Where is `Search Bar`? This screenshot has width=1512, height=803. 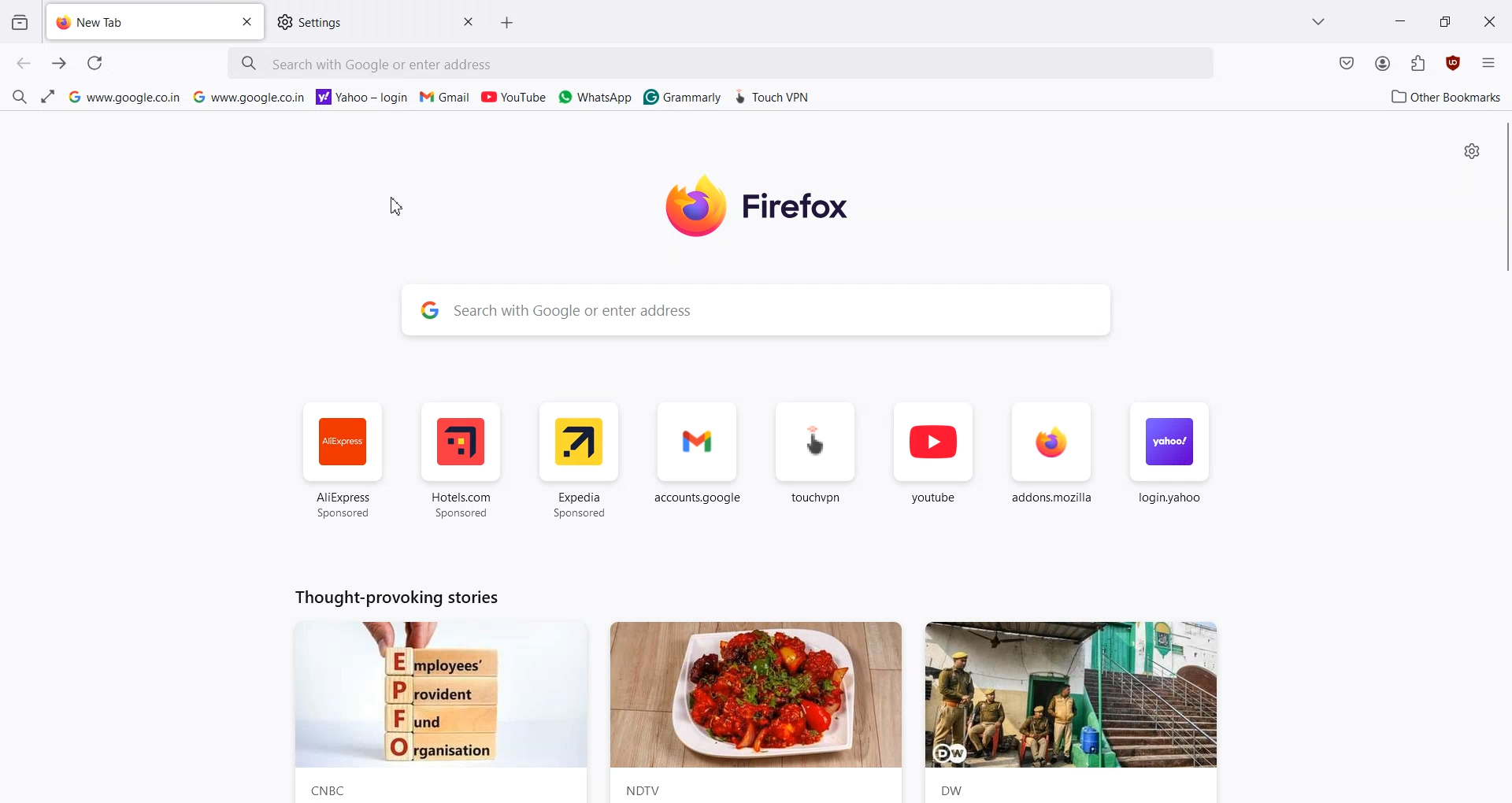
Search Bar is located at coordinates (758, 309).